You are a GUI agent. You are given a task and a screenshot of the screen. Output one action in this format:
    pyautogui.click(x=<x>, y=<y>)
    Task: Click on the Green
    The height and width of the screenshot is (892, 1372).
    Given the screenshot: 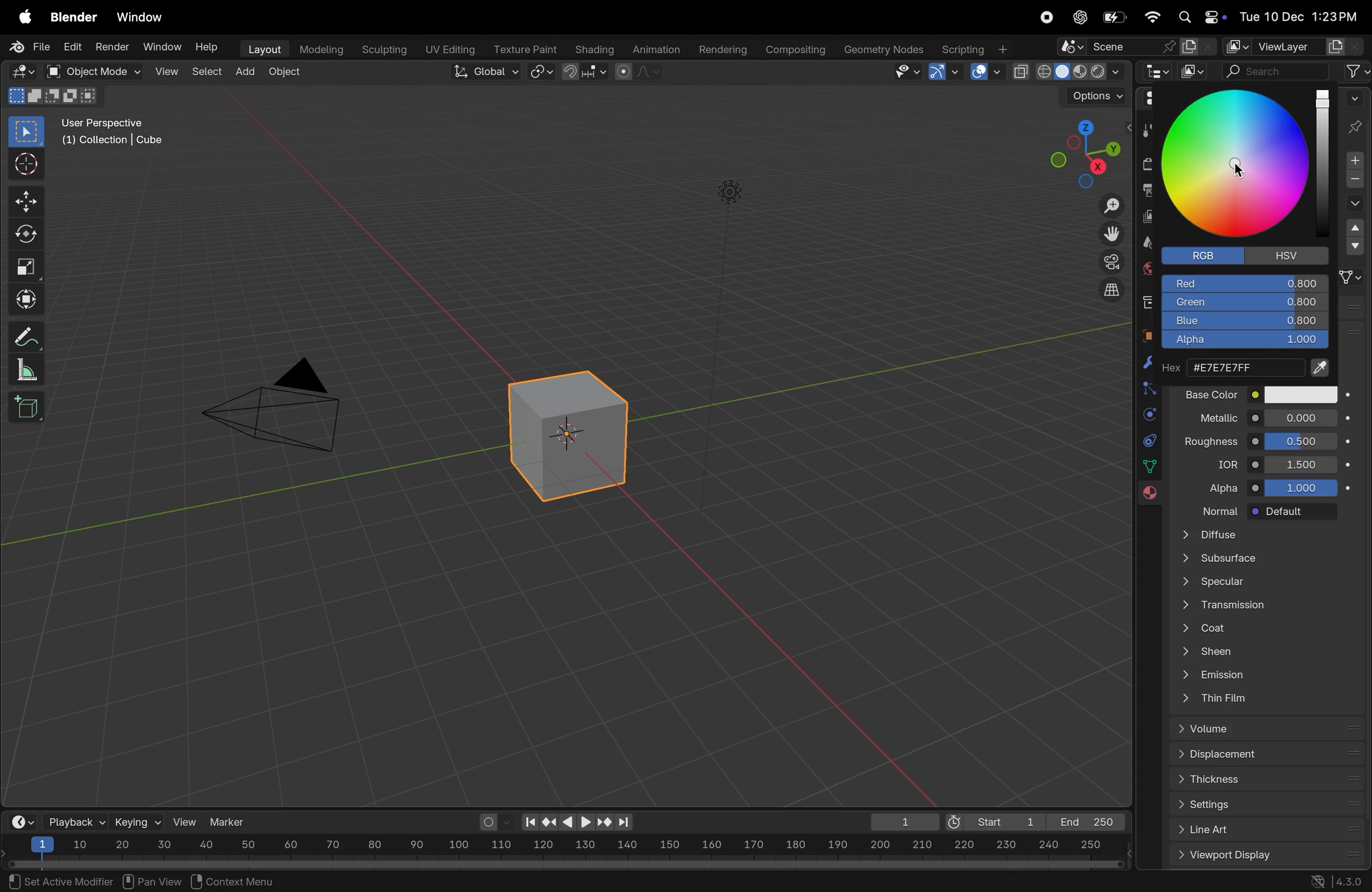 What is the action you would take?
    pyautogui.click(x=1245, y=303)
    